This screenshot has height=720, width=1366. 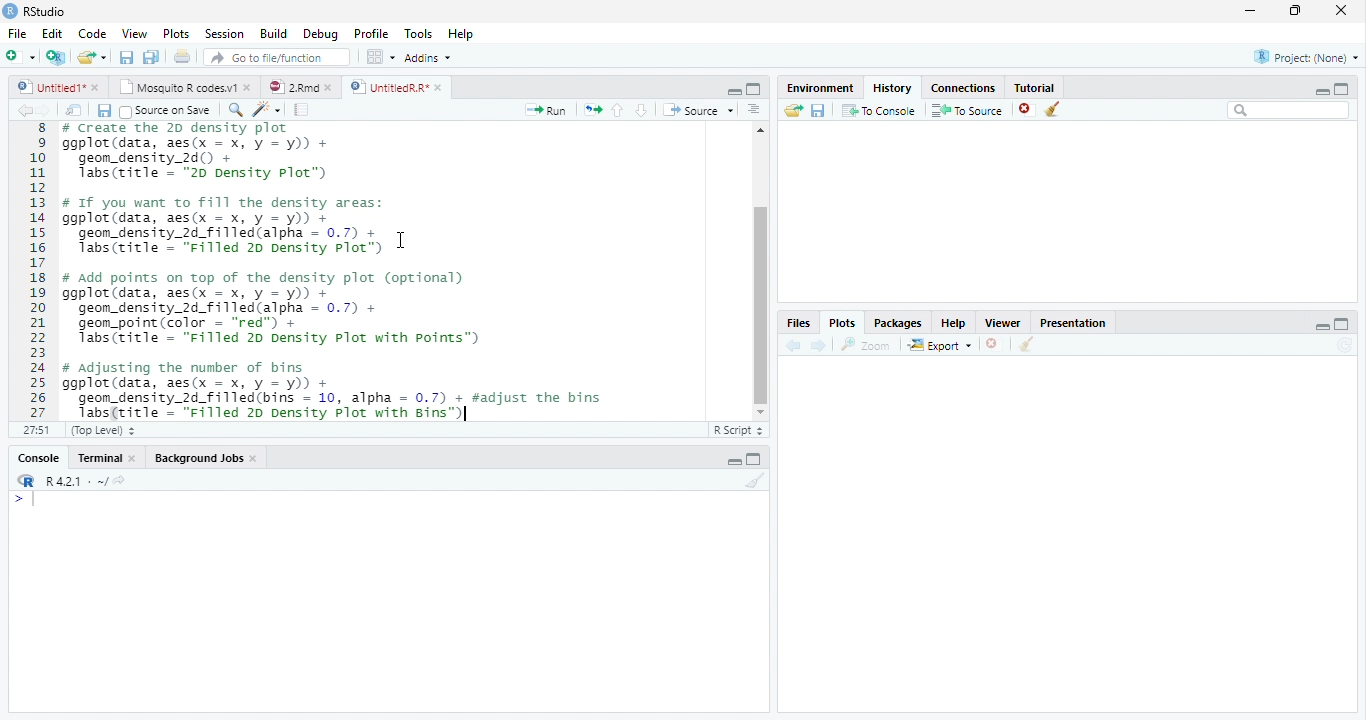 I want to click on maximize, so click(x=754, y=88).